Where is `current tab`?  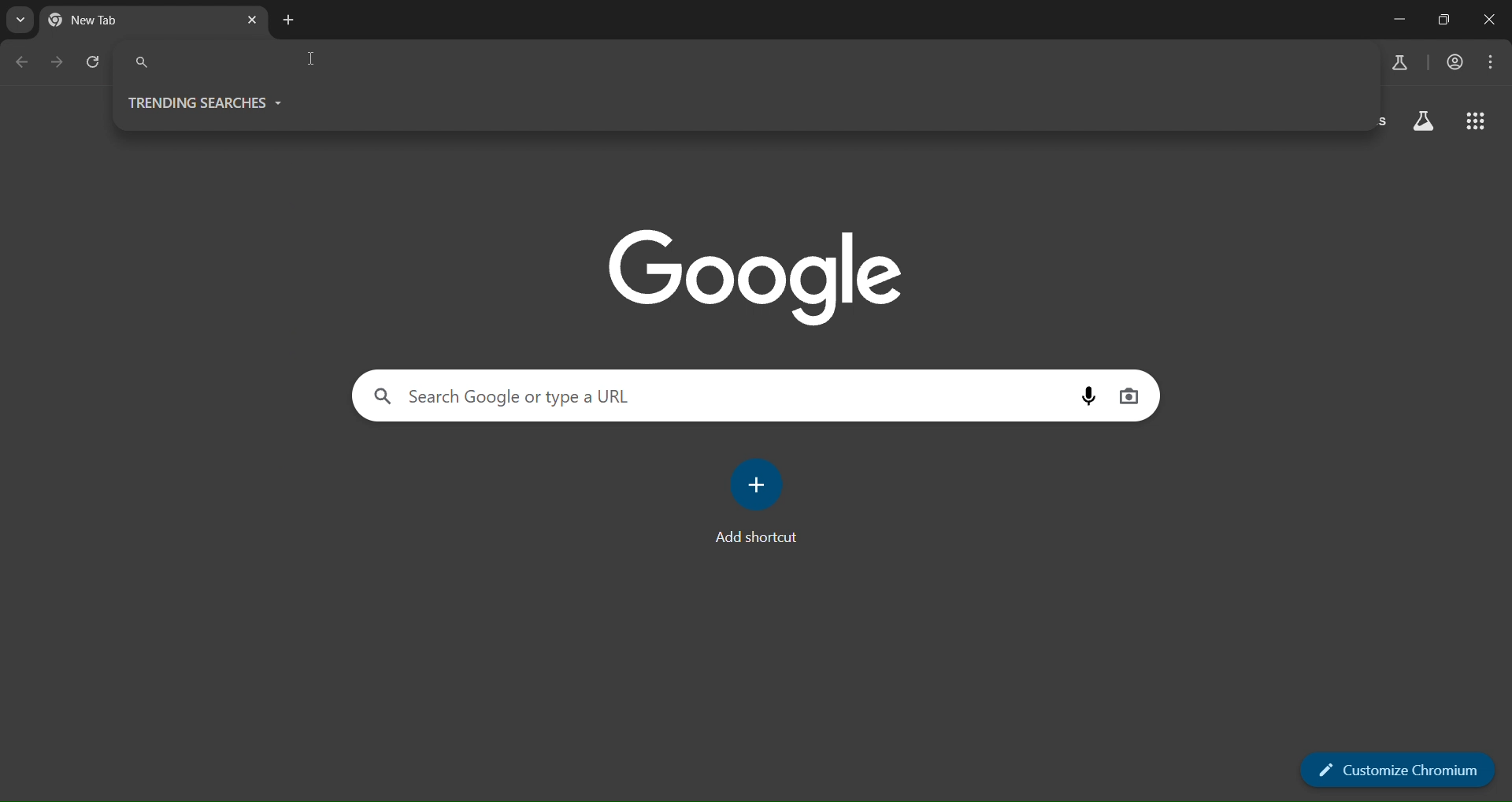
current tab is located at coordinates (109, 21).